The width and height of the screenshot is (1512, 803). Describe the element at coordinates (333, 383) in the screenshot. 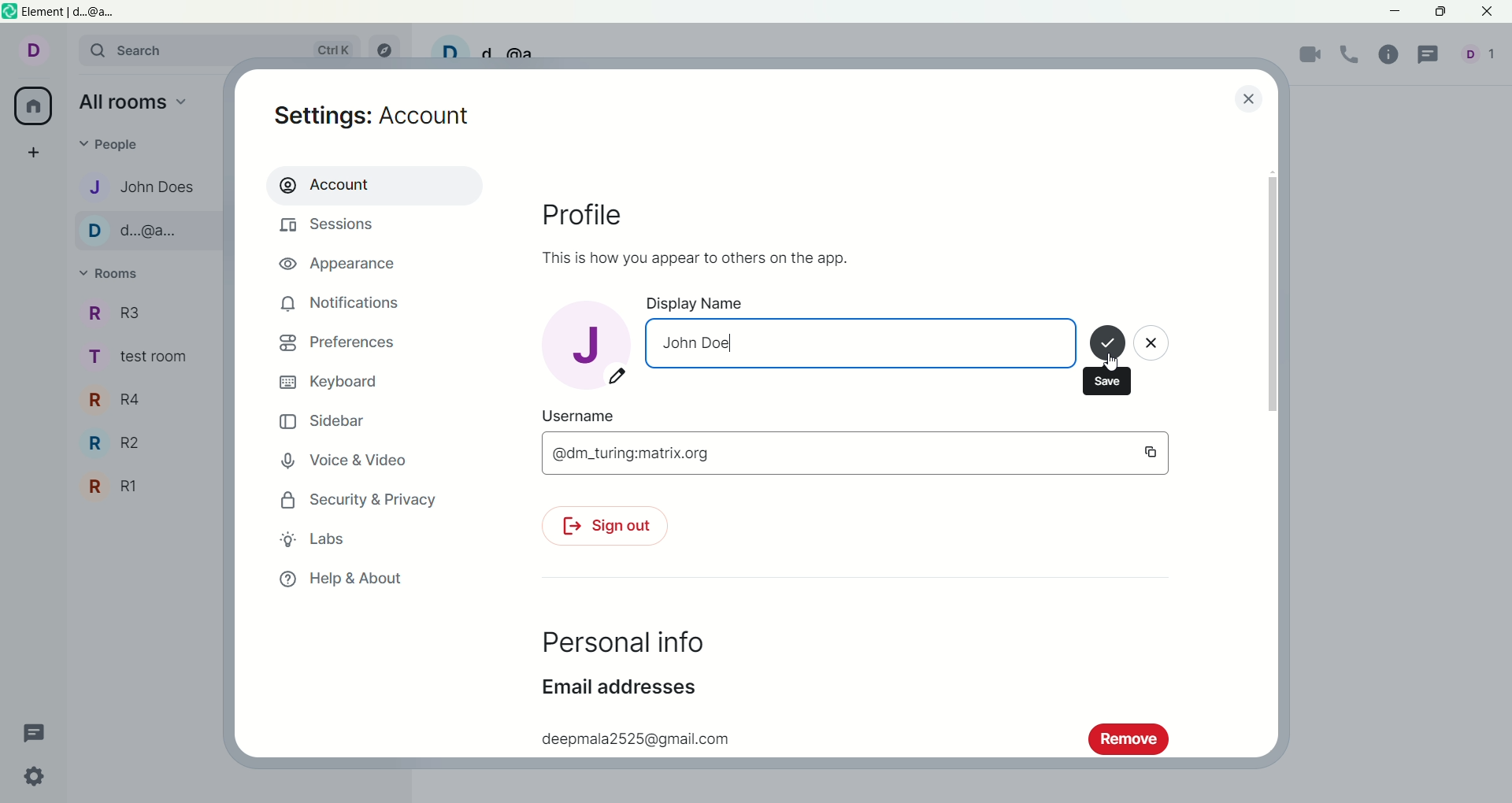

I see `keyboard` at that location.